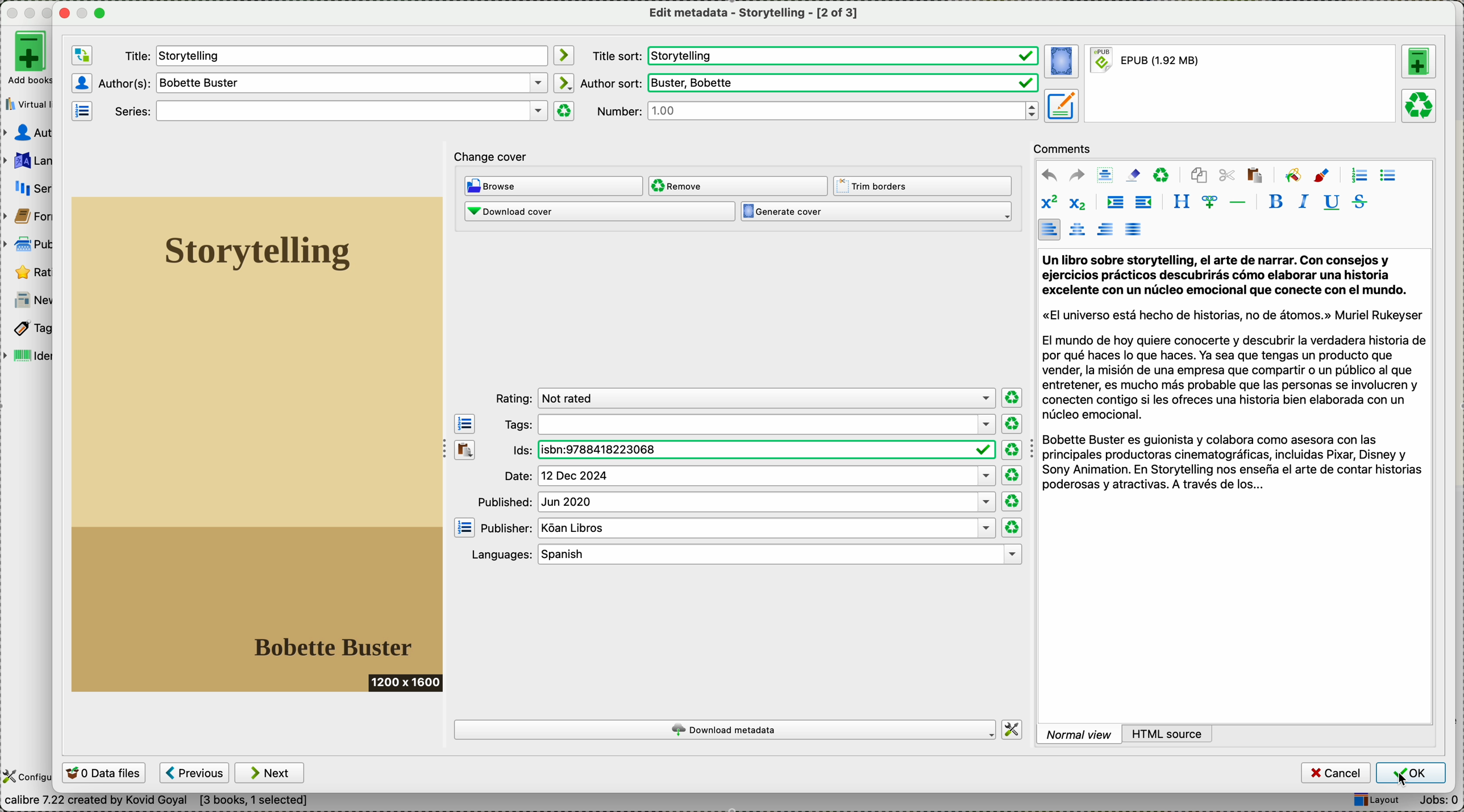 This screenshot has height=812, width=1464. I want to click on cancel, so click(1335, 772).